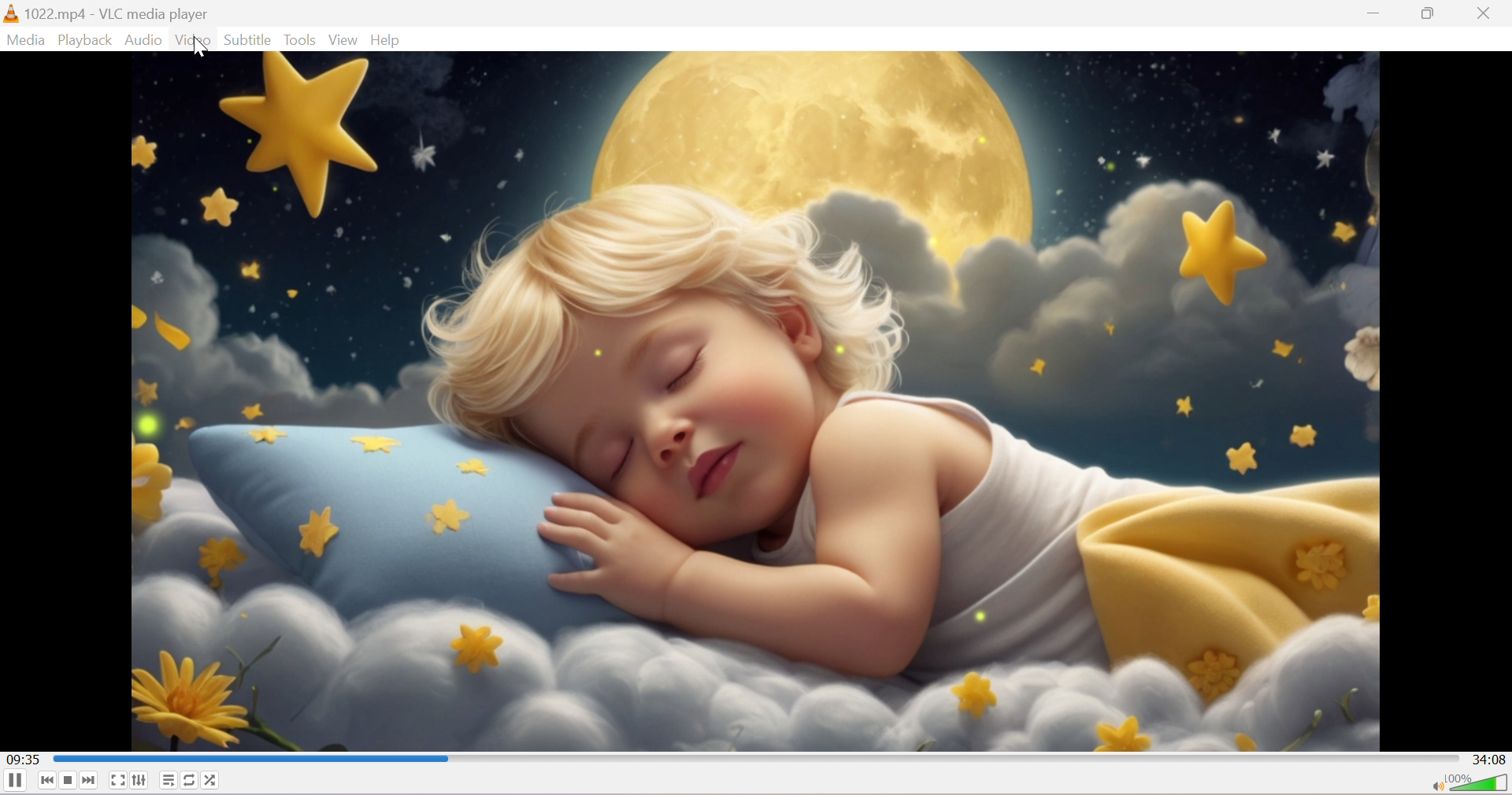 Image resolution: width=1512 pixels, height=795 pixels. What do you see at coordinates (1492, 758) in the screenshot?
I see `34:08` at bounding box center [1492, 758].